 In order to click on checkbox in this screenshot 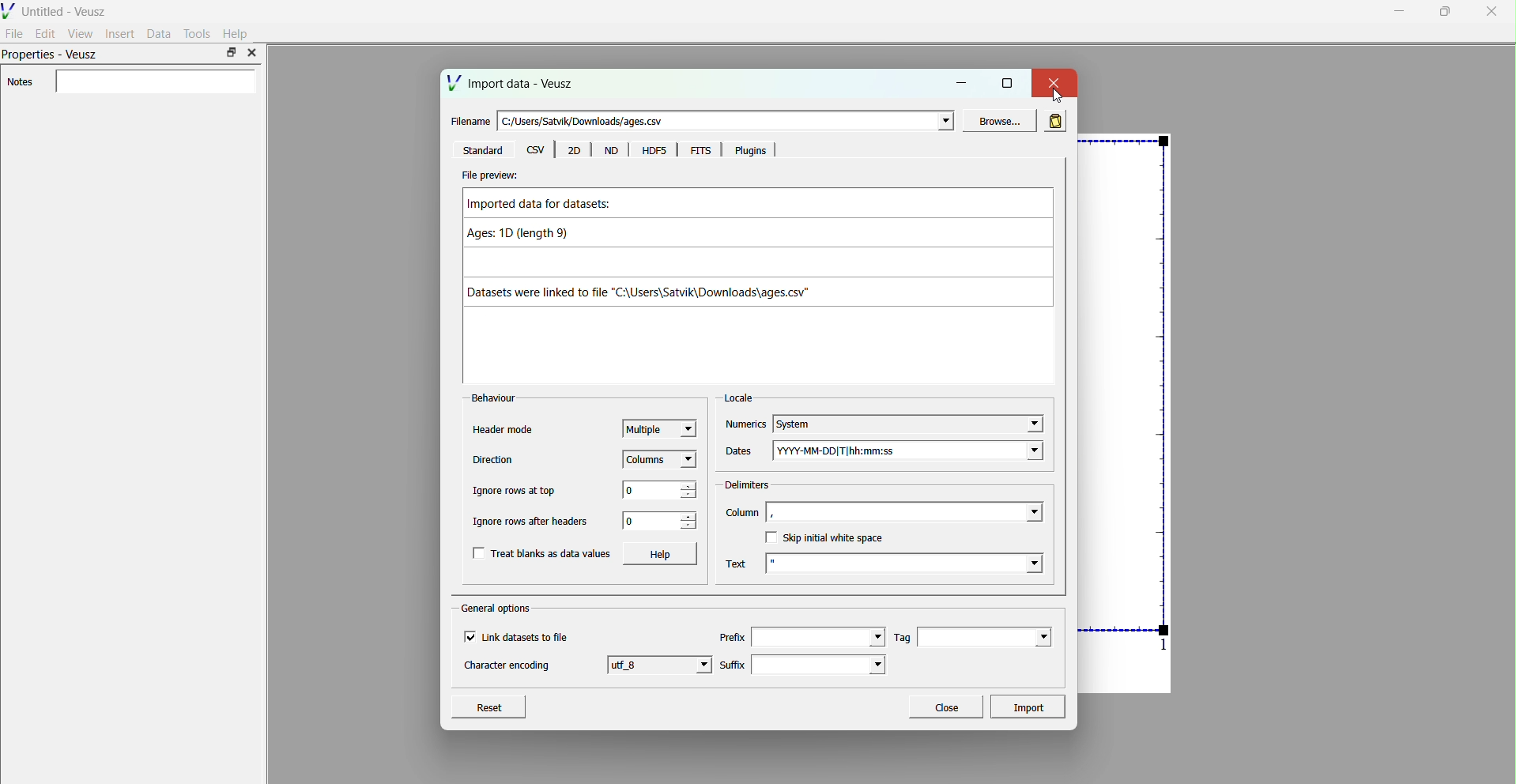, I will do `click(469, 637)`.